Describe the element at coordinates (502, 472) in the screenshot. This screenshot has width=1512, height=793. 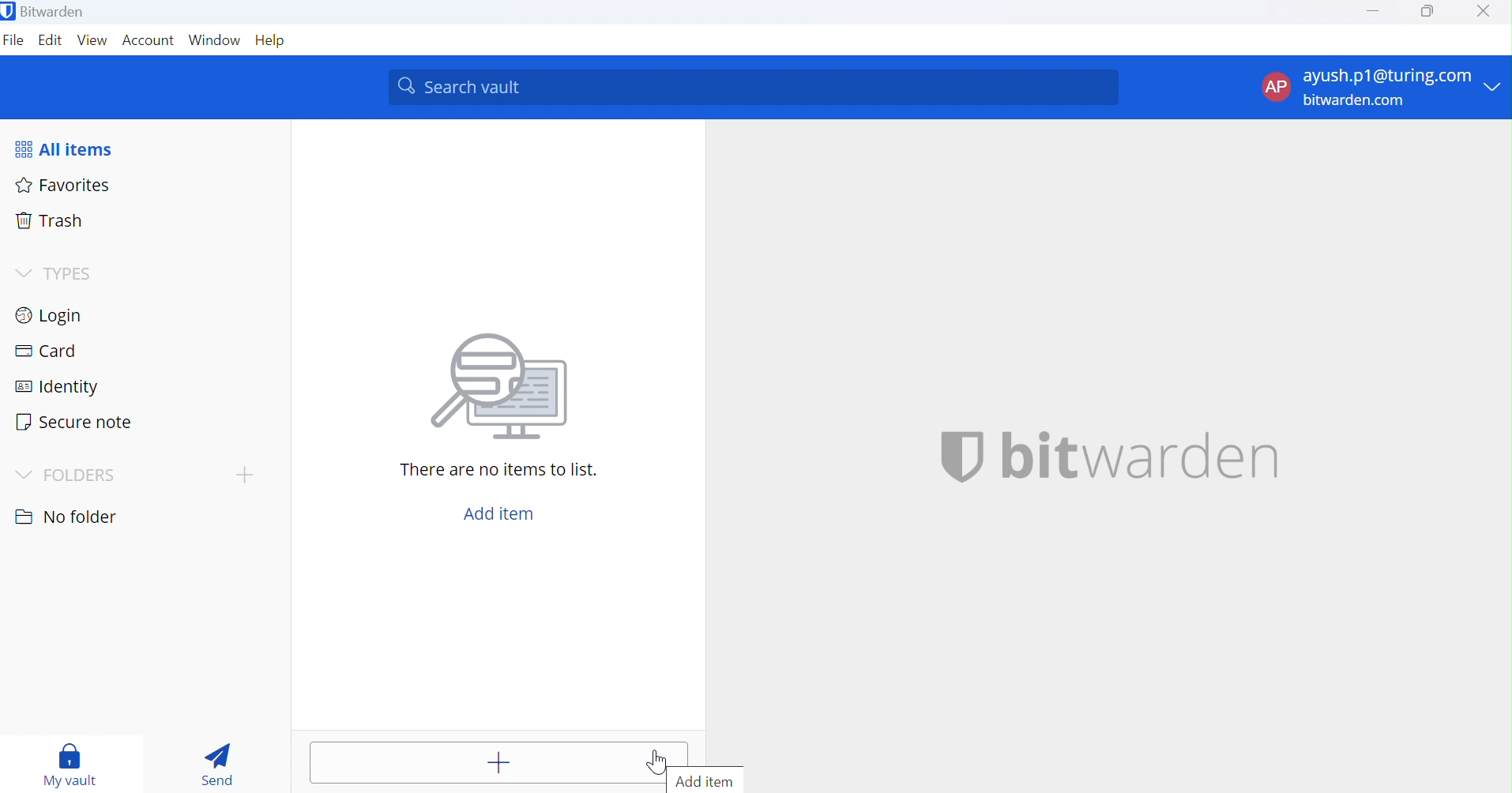
I see `There are no items to list` at that location.